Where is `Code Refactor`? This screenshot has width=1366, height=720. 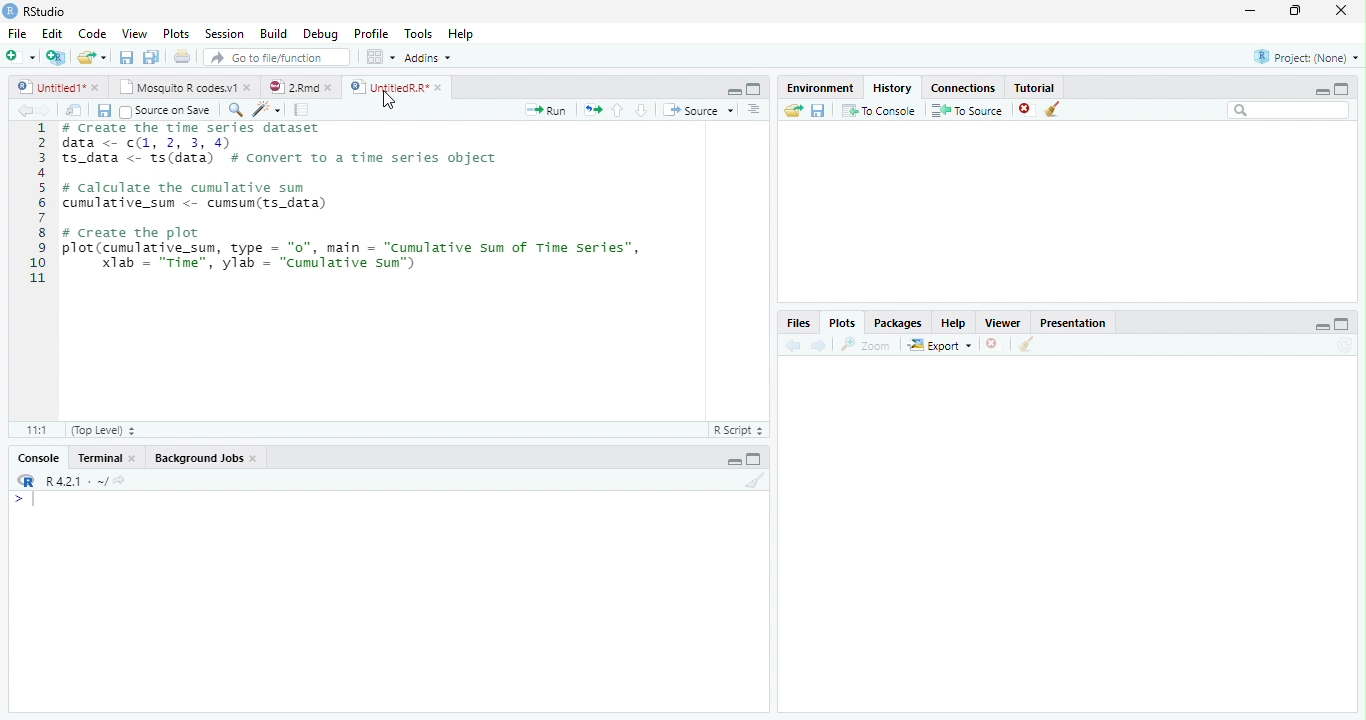 Code Refactor is located at coordinates (269, 109).